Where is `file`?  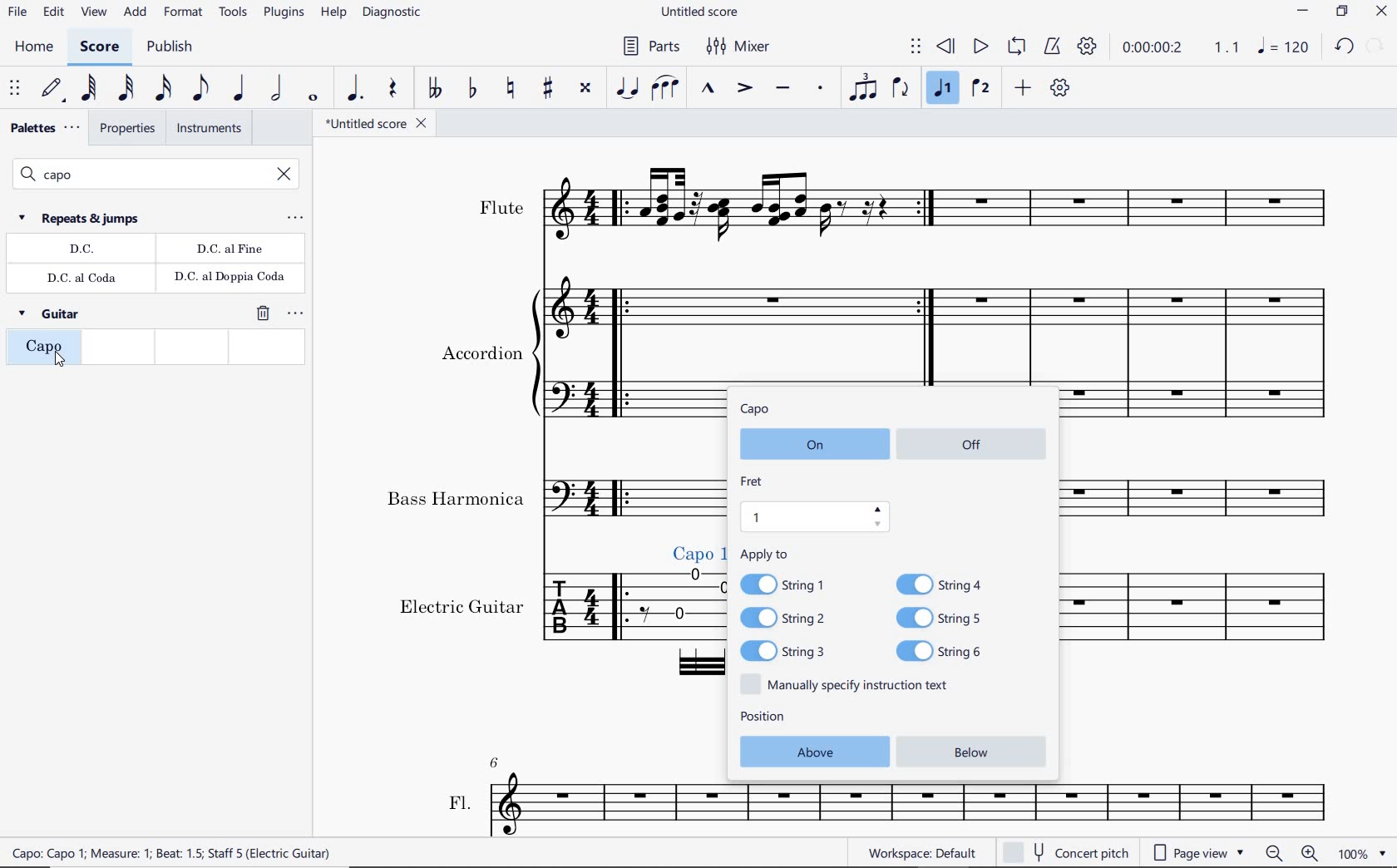 file is located at coordinates (18, 13).